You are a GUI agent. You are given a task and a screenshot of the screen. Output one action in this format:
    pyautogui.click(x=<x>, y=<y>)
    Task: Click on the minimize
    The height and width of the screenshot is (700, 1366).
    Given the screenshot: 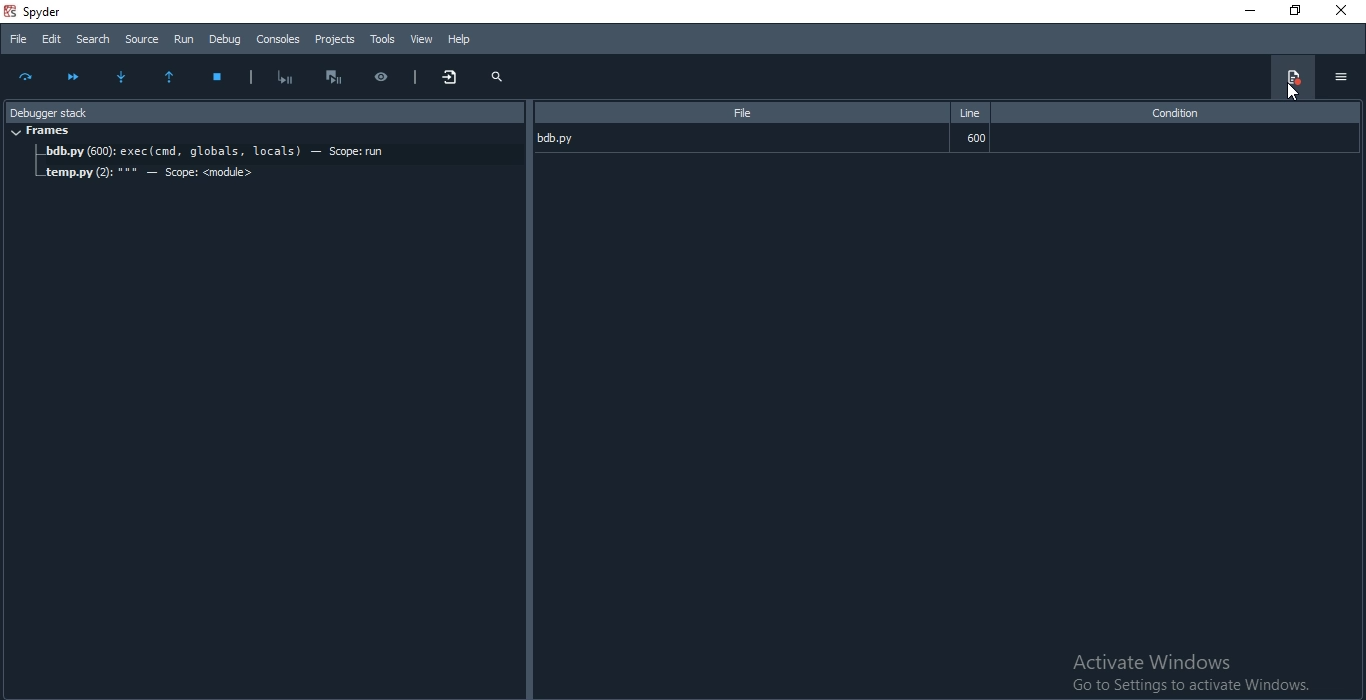 What is the action you would take?
    pyautogui.click(x=1248, y=12)
    